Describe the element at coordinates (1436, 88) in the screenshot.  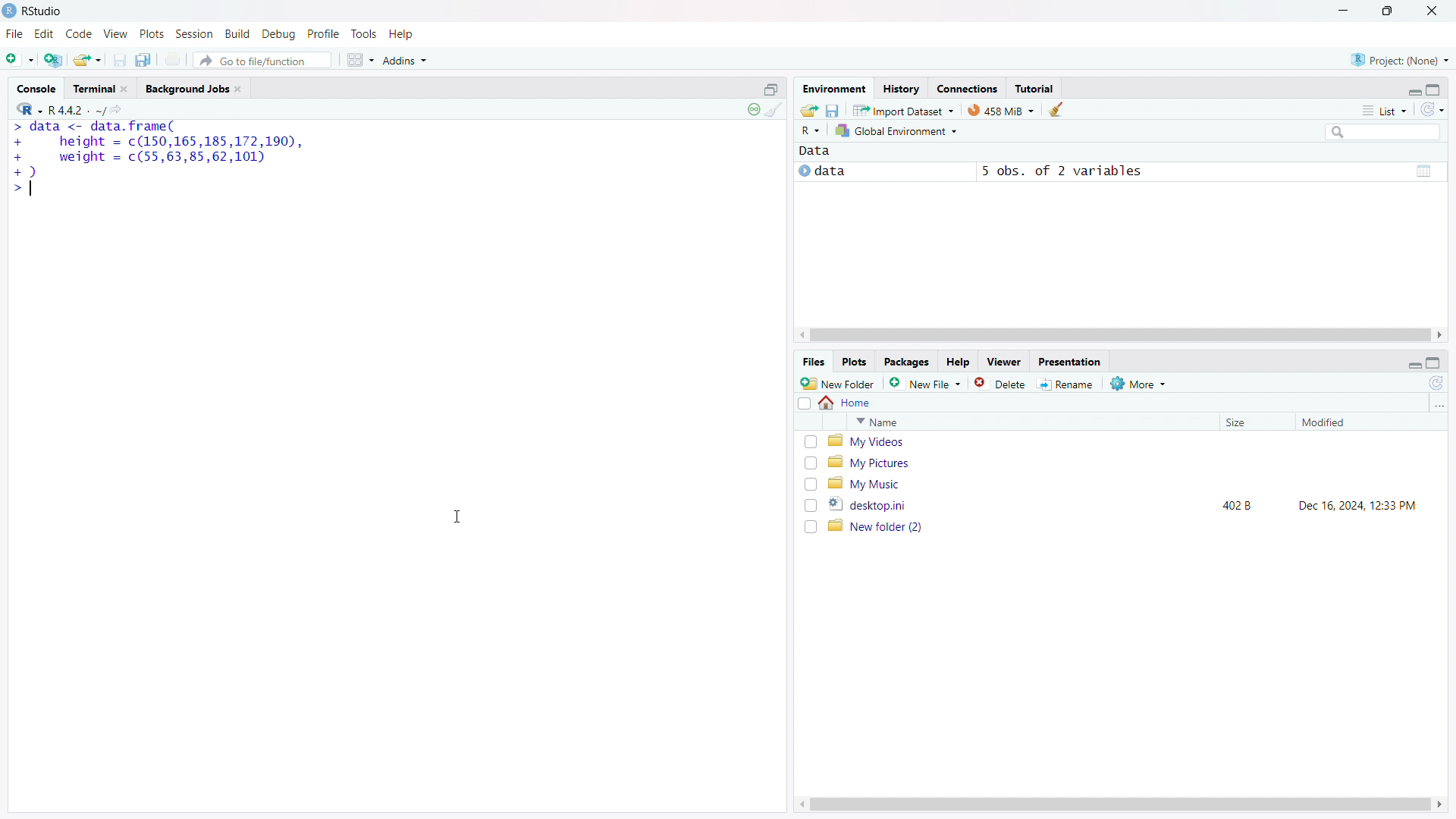
I see `expand pane` at that location.